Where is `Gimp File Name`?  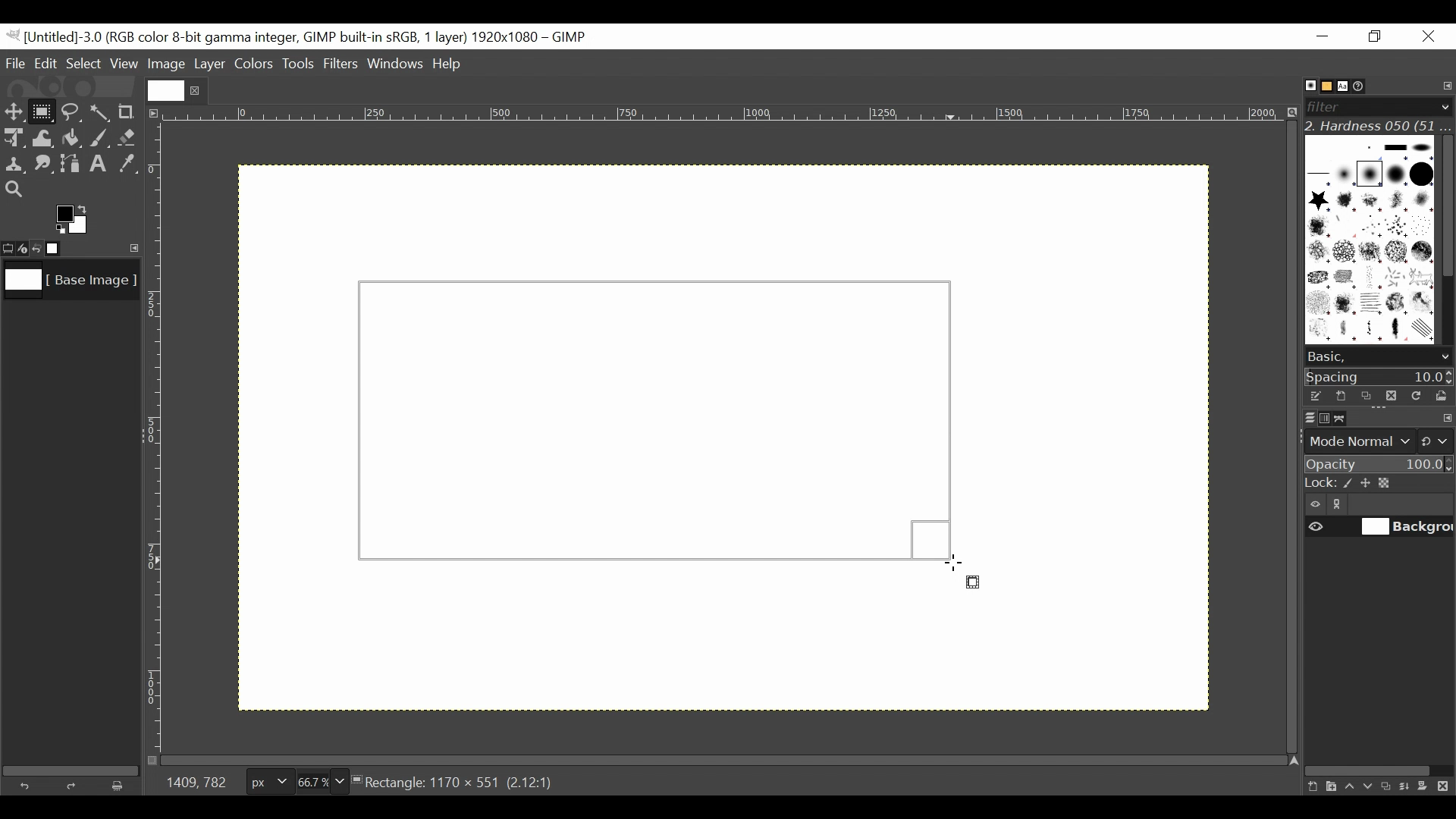 Gimp File Name is located at coordinates (302, 37).